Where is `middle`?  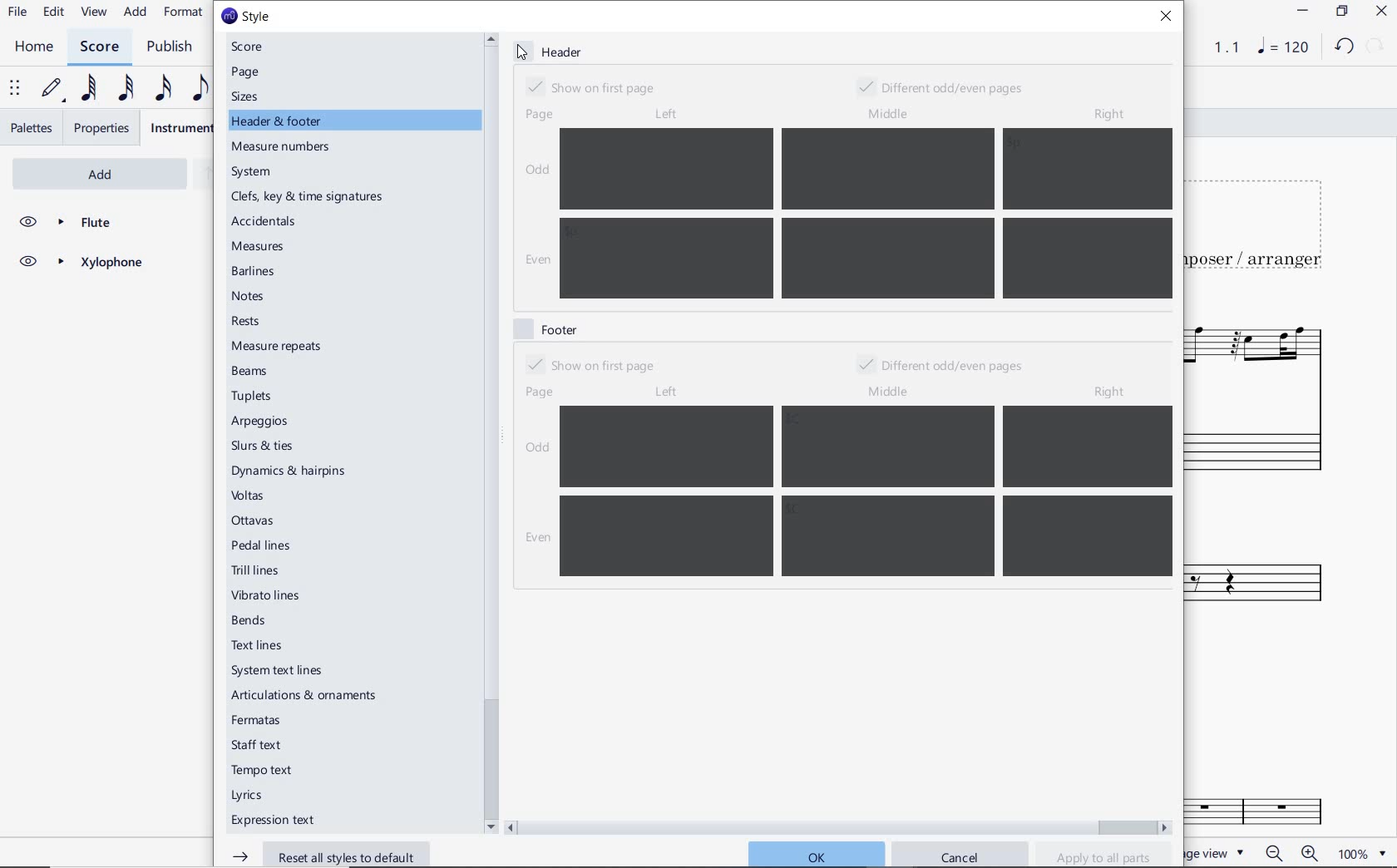
middle is located at coordinates (891, 392).